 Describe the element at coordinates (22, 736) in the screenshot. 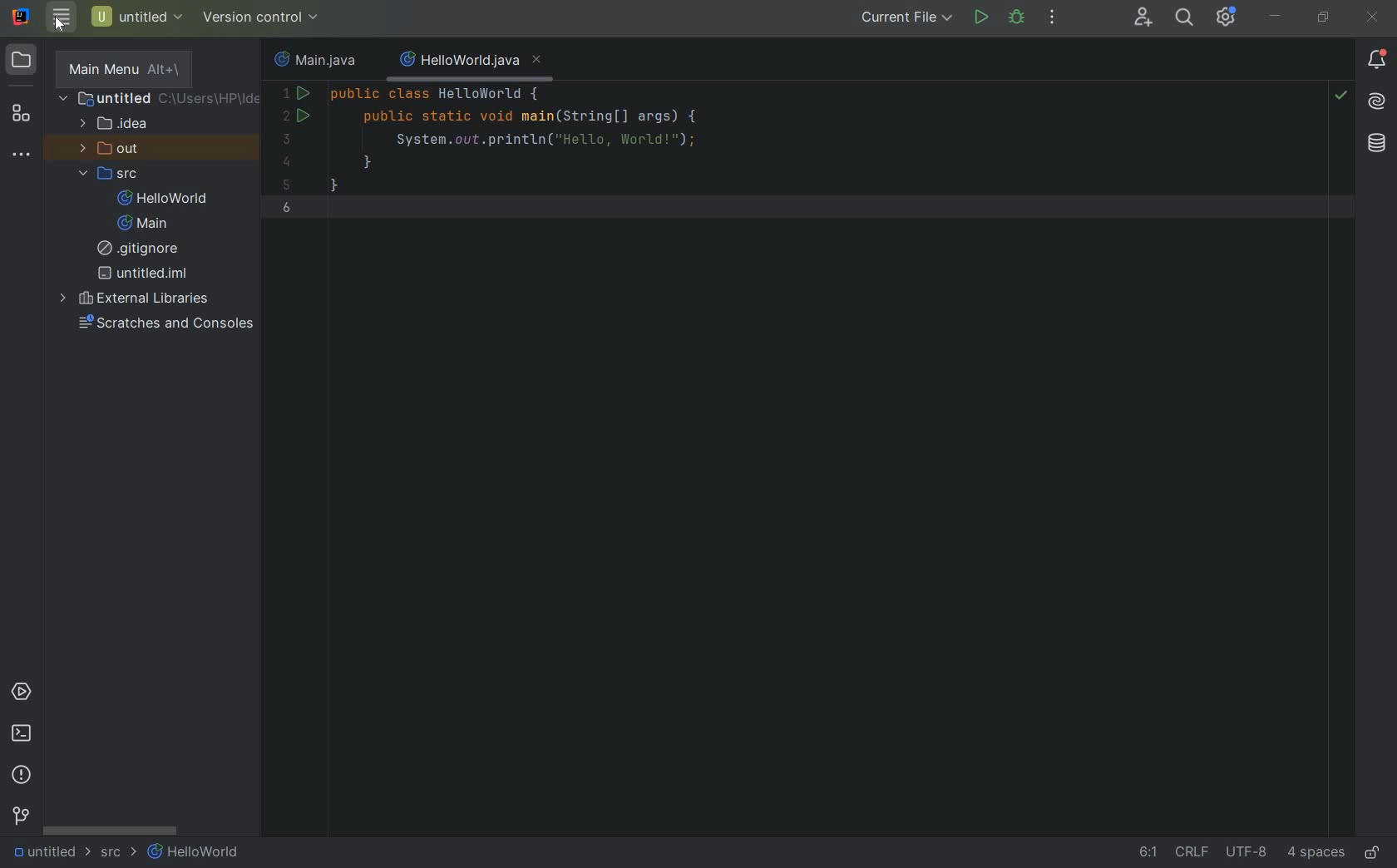

I see `TERMINAL` at that location.